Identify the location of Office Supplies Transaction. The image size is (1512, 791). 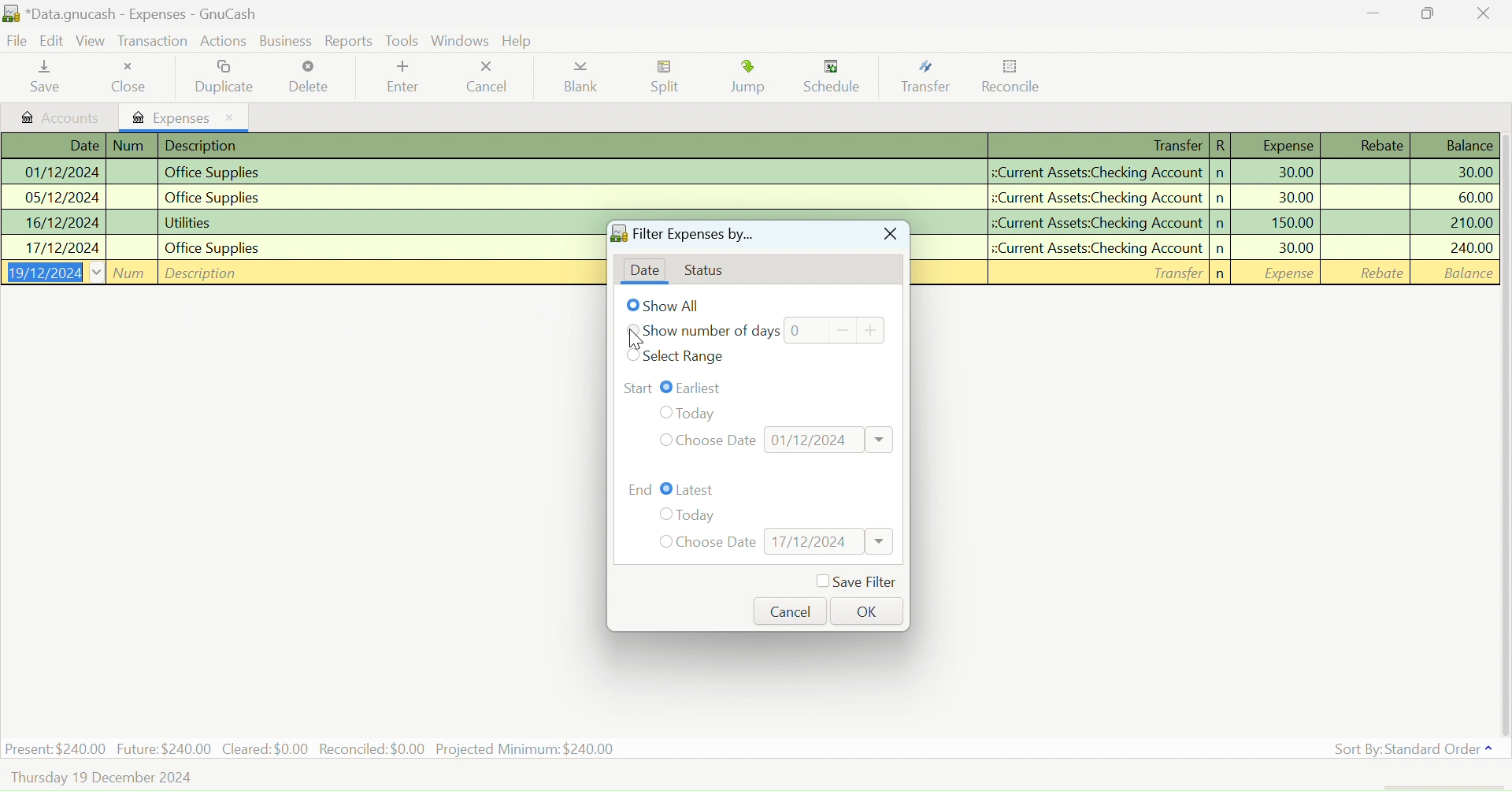
(1210, 247).